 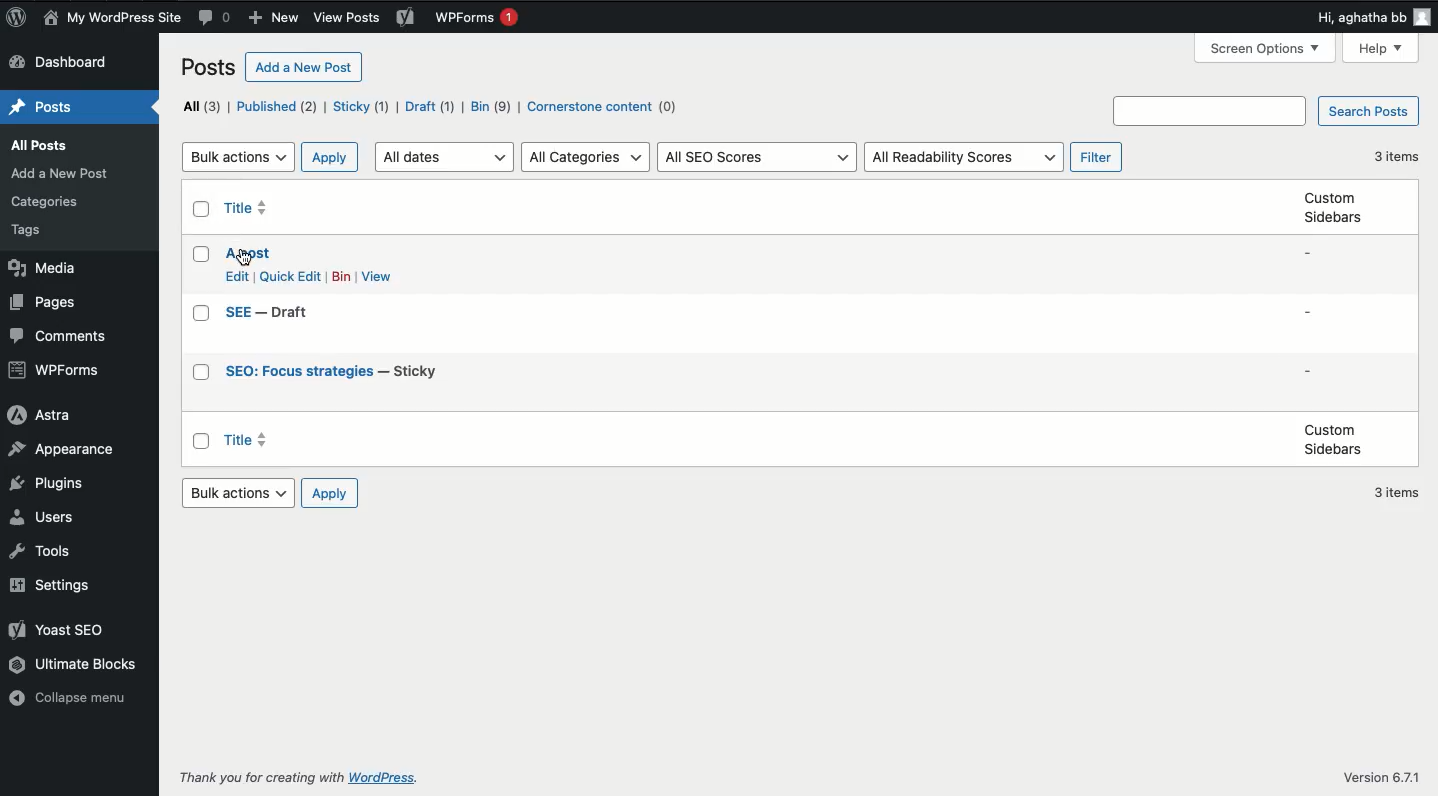 What do you see at coordinates (1096, 155) in the screenshot?
I see `Filter` at bounding box center [1096, 155].